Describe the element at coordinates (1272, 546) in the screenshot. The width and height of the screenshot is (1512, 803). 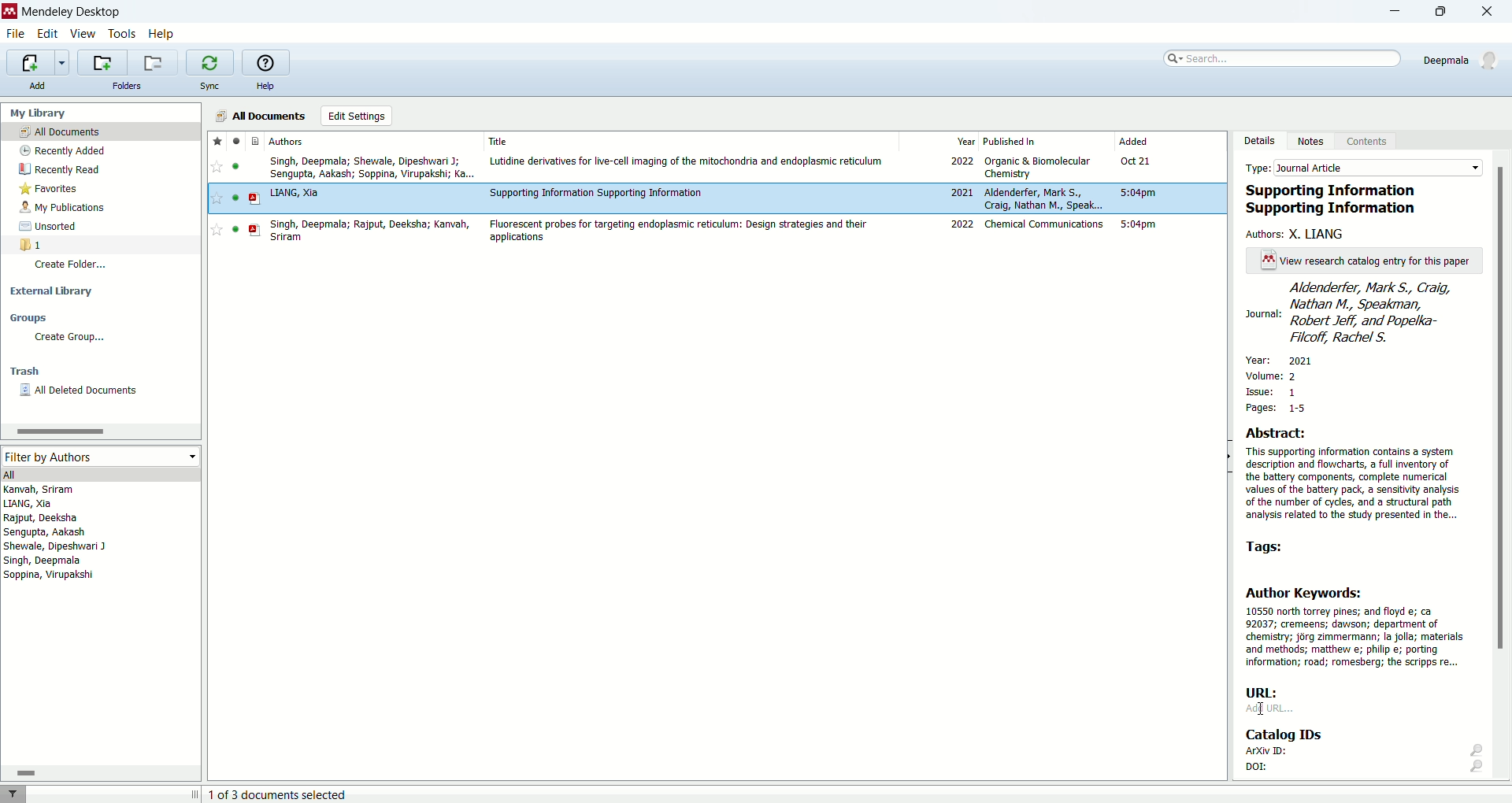
I see `tags: ` at that location.